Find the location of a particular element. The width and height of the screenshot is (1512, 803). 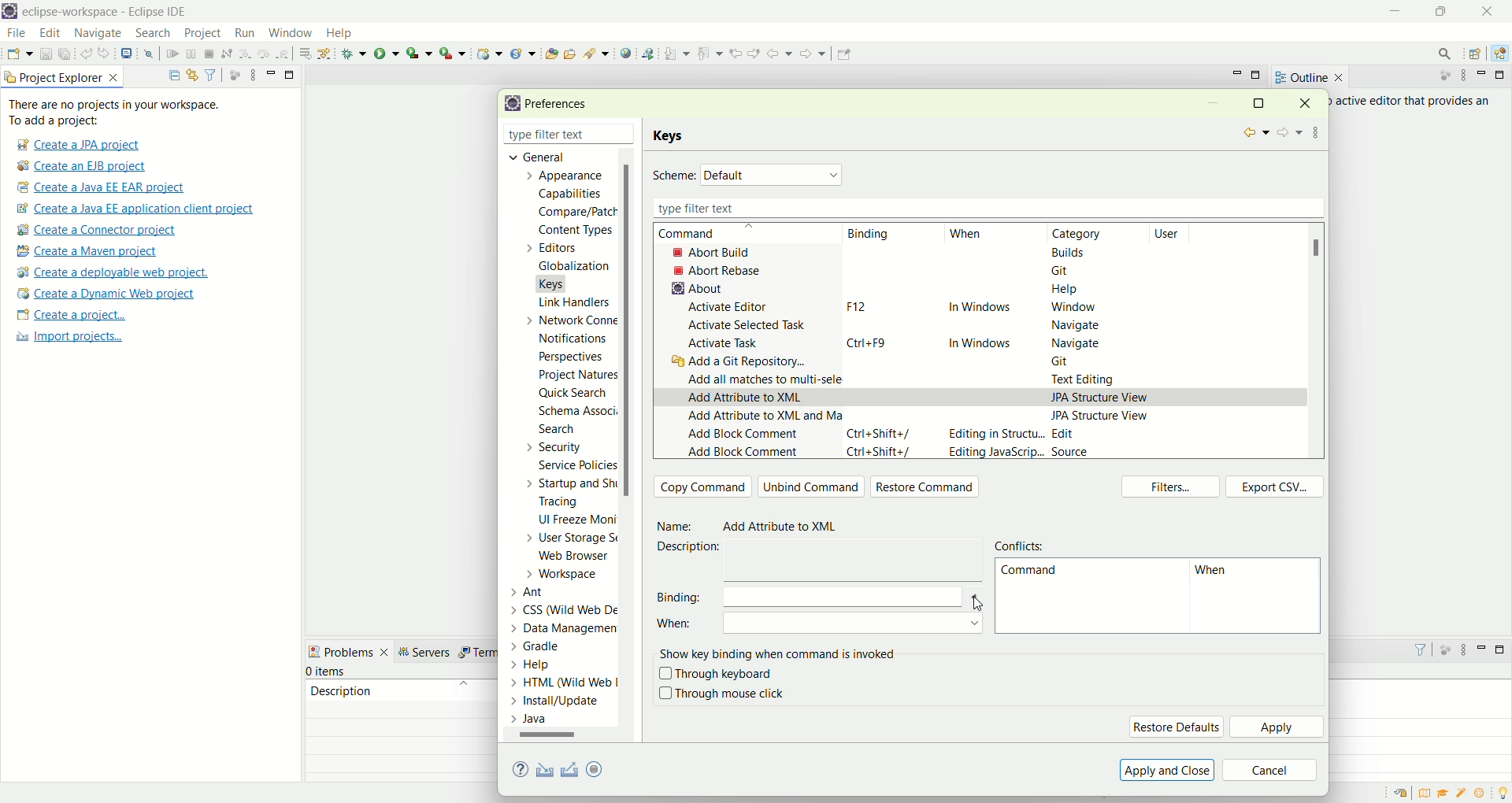

help is located at coordinates (523, 771).